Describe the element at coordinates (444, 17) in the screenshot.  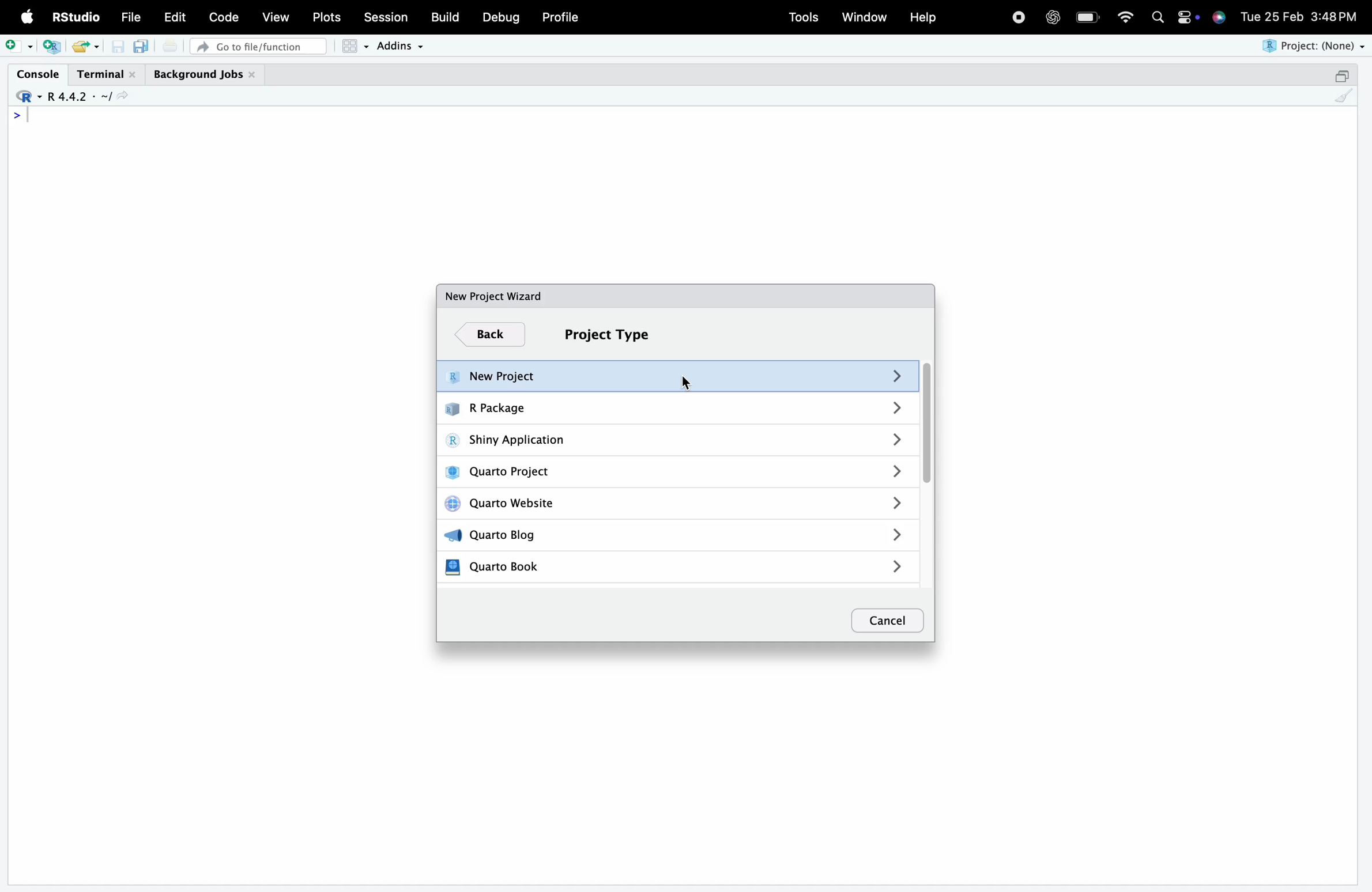
I see `Build` at that location.